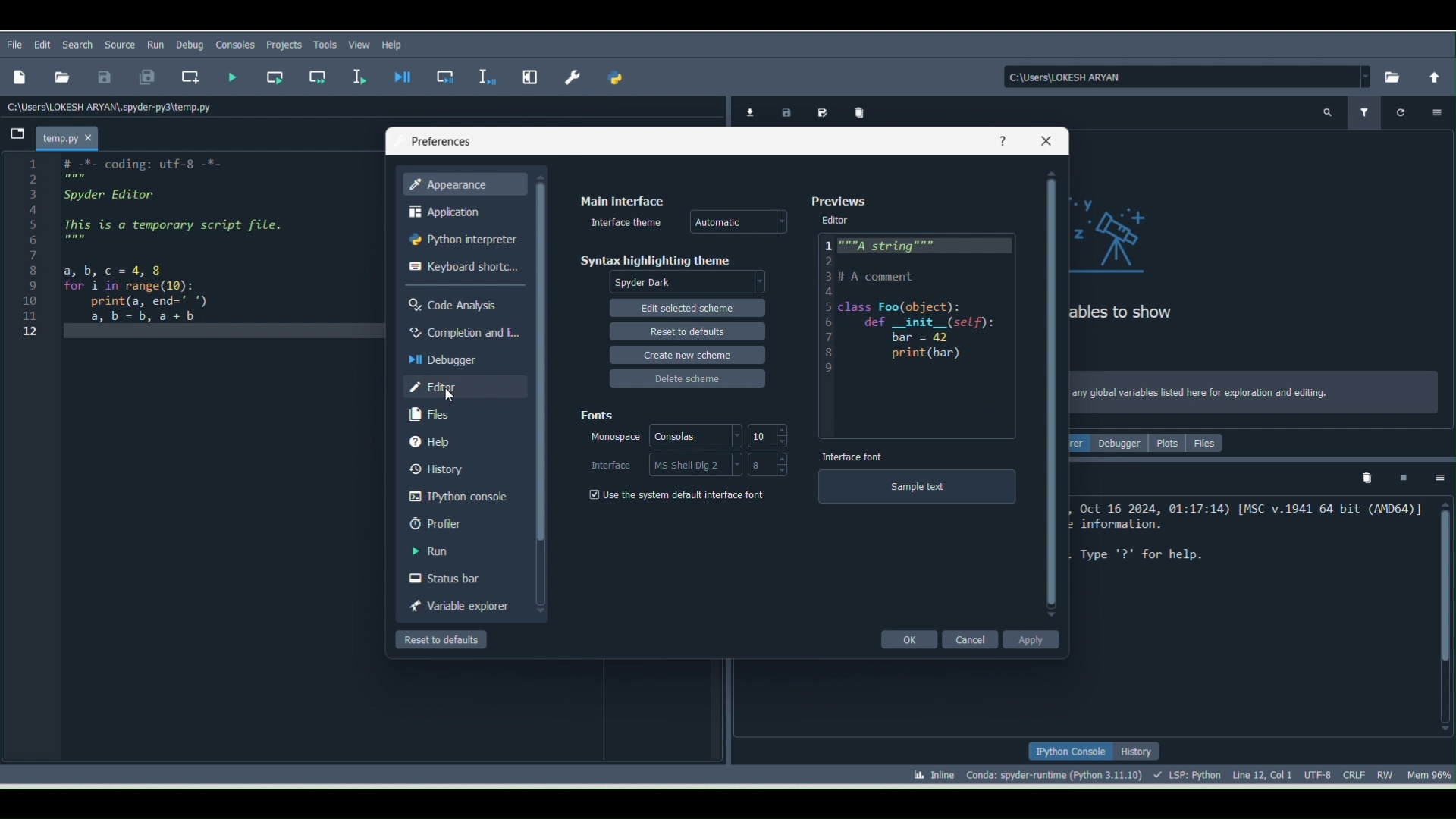  What do you see at coordinates (233, 47) in the screenshot?
I see `Consoles` at bounding box center [233, 47].